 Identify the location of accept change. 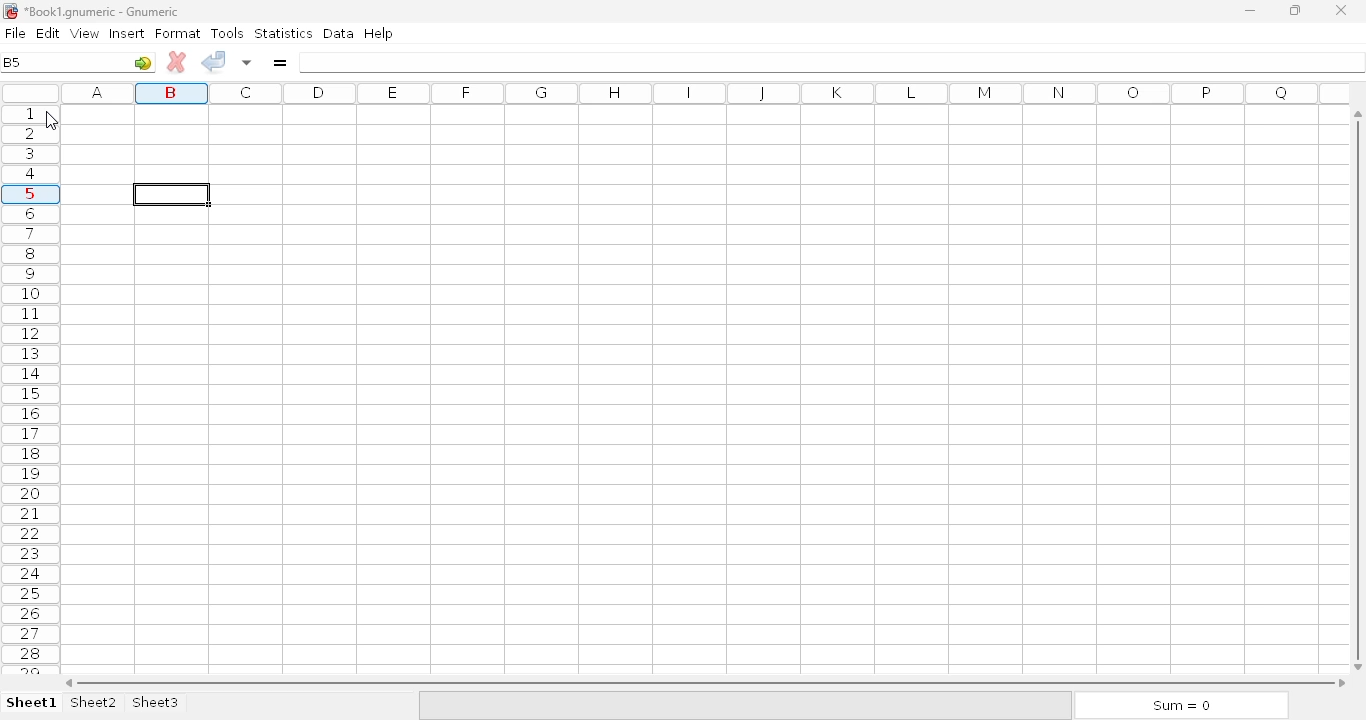
(213, 60).